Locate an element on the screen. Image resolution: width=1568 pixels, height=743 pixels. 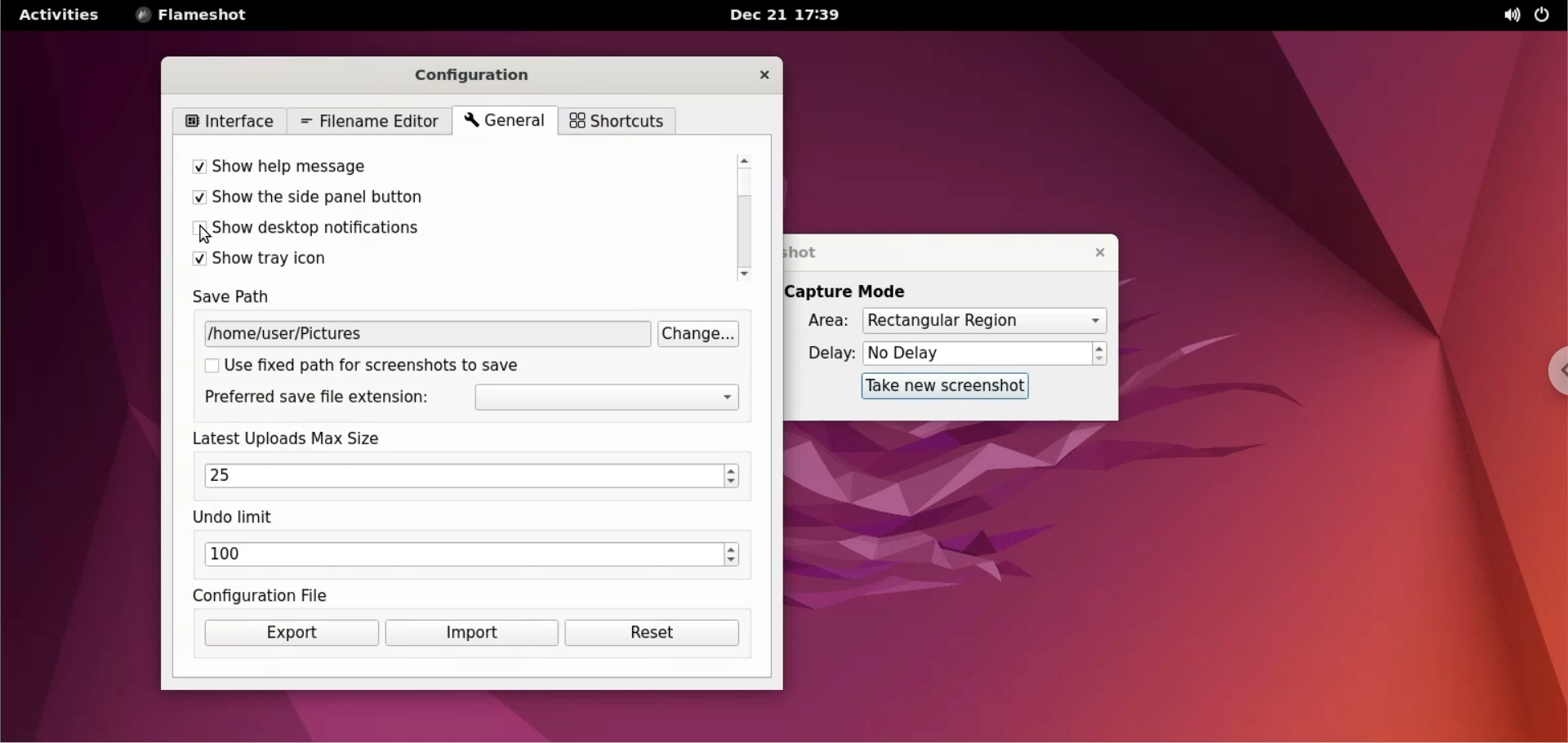
export  is located at coordinates (292, 633).